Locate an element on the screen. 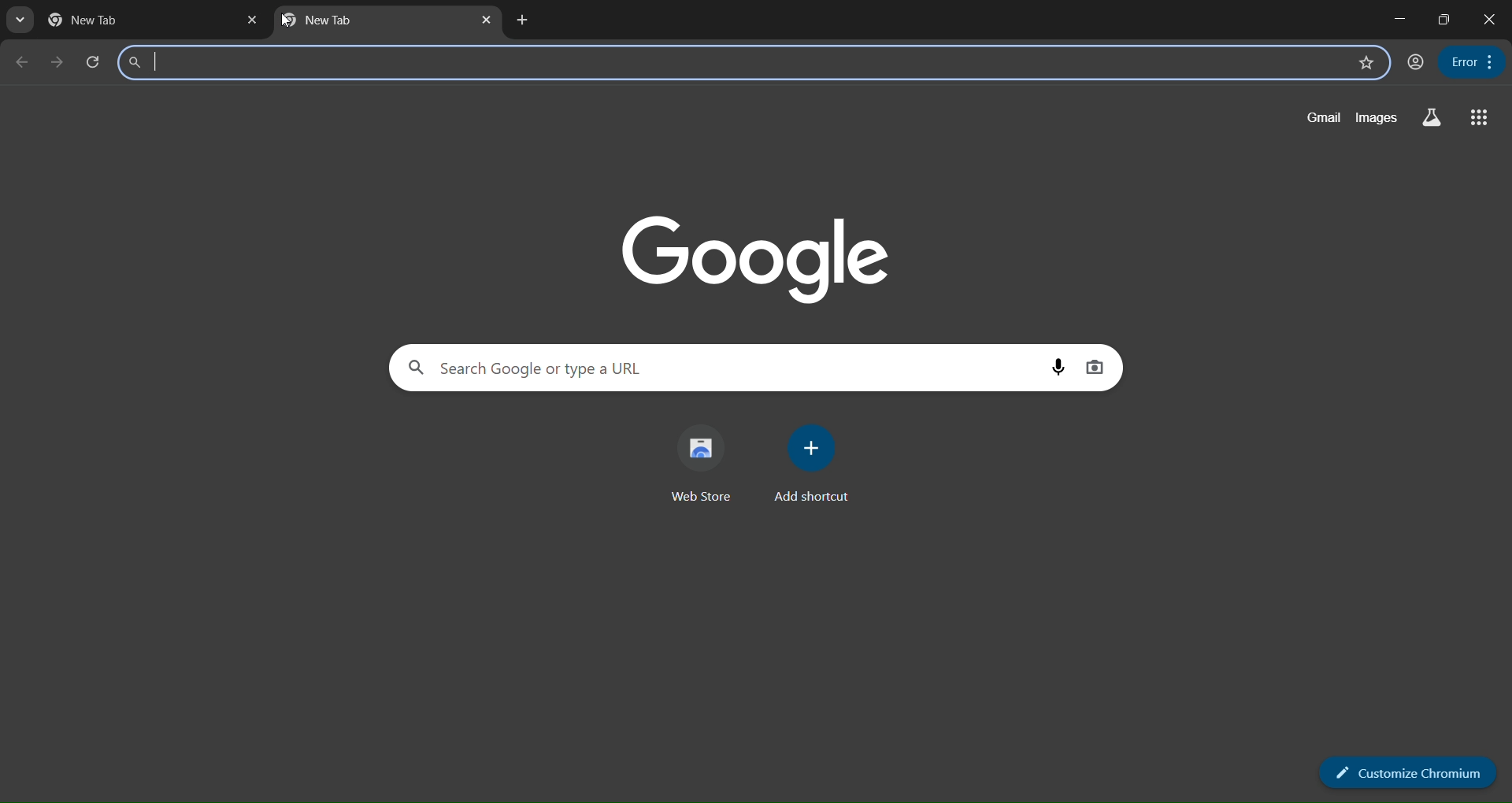 This screenshot has height=803, width=1512. next is located at coordinates (55, 63).